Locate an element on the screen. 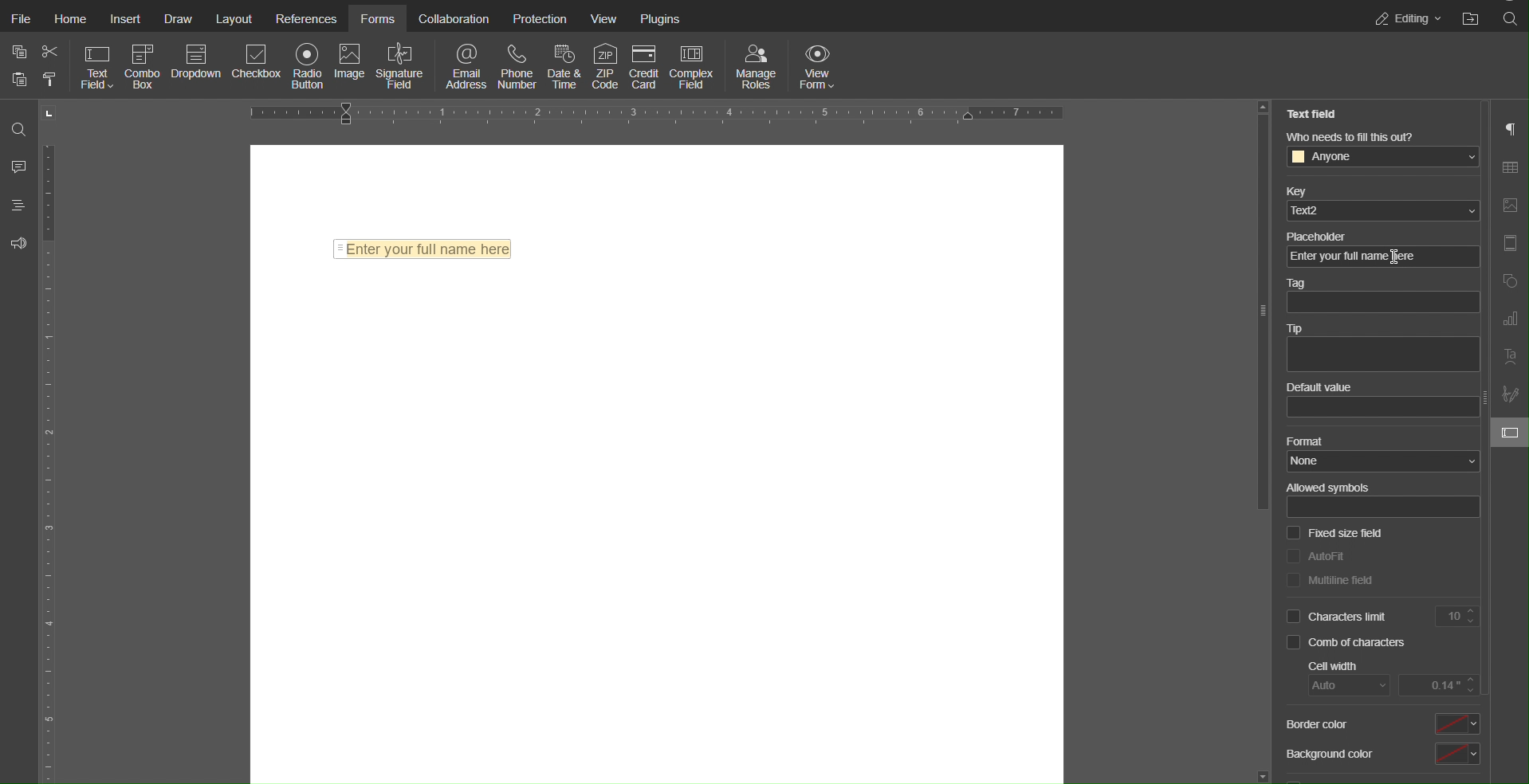 The height and width of the screenshot is (784, 1529). Complex Field is located at coordinates (694, 67).